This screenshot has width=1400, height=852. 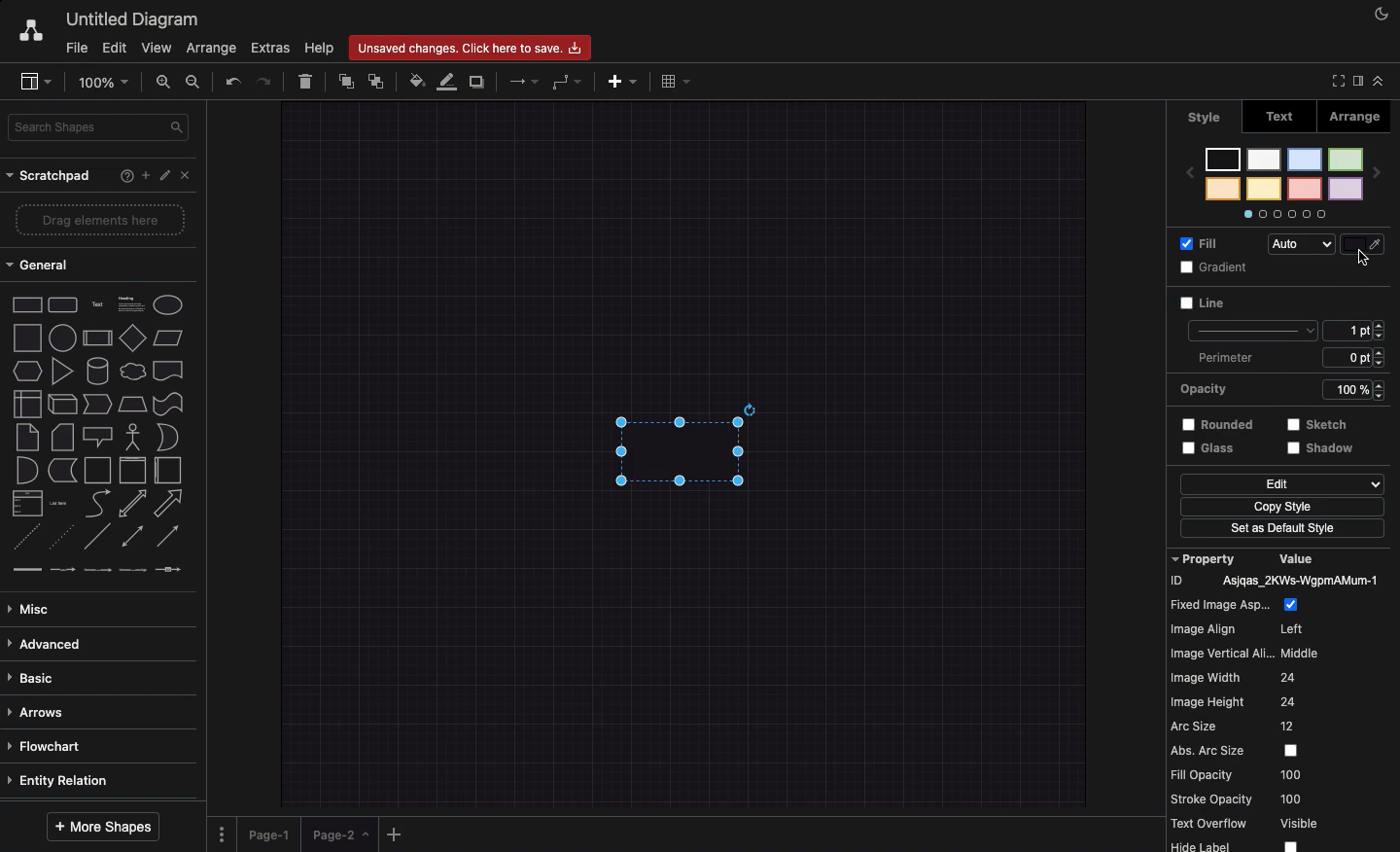 I want to click on Added rectangle, so click(x=679, y=445).